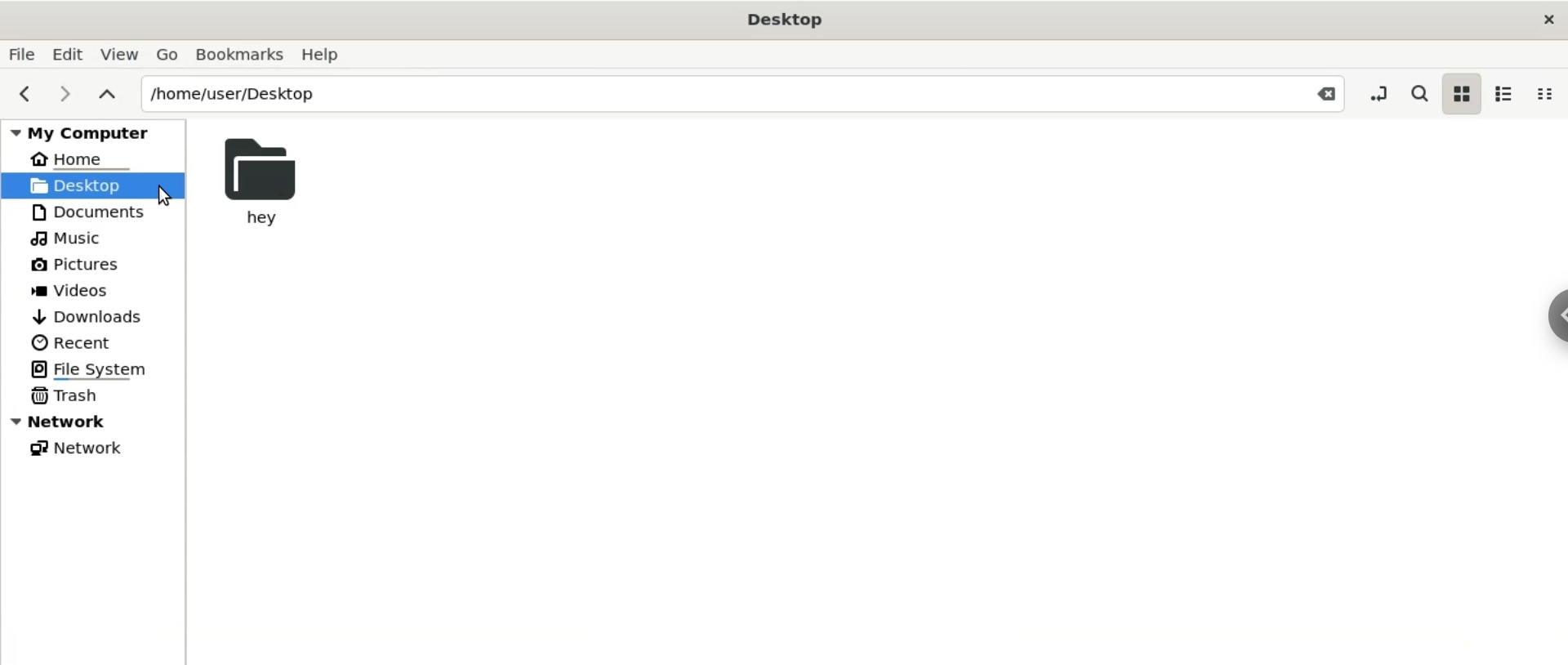 Image resolution: width=1568 pixels, height=665 pixels. I want to click on parent folders, so click(109, 94).